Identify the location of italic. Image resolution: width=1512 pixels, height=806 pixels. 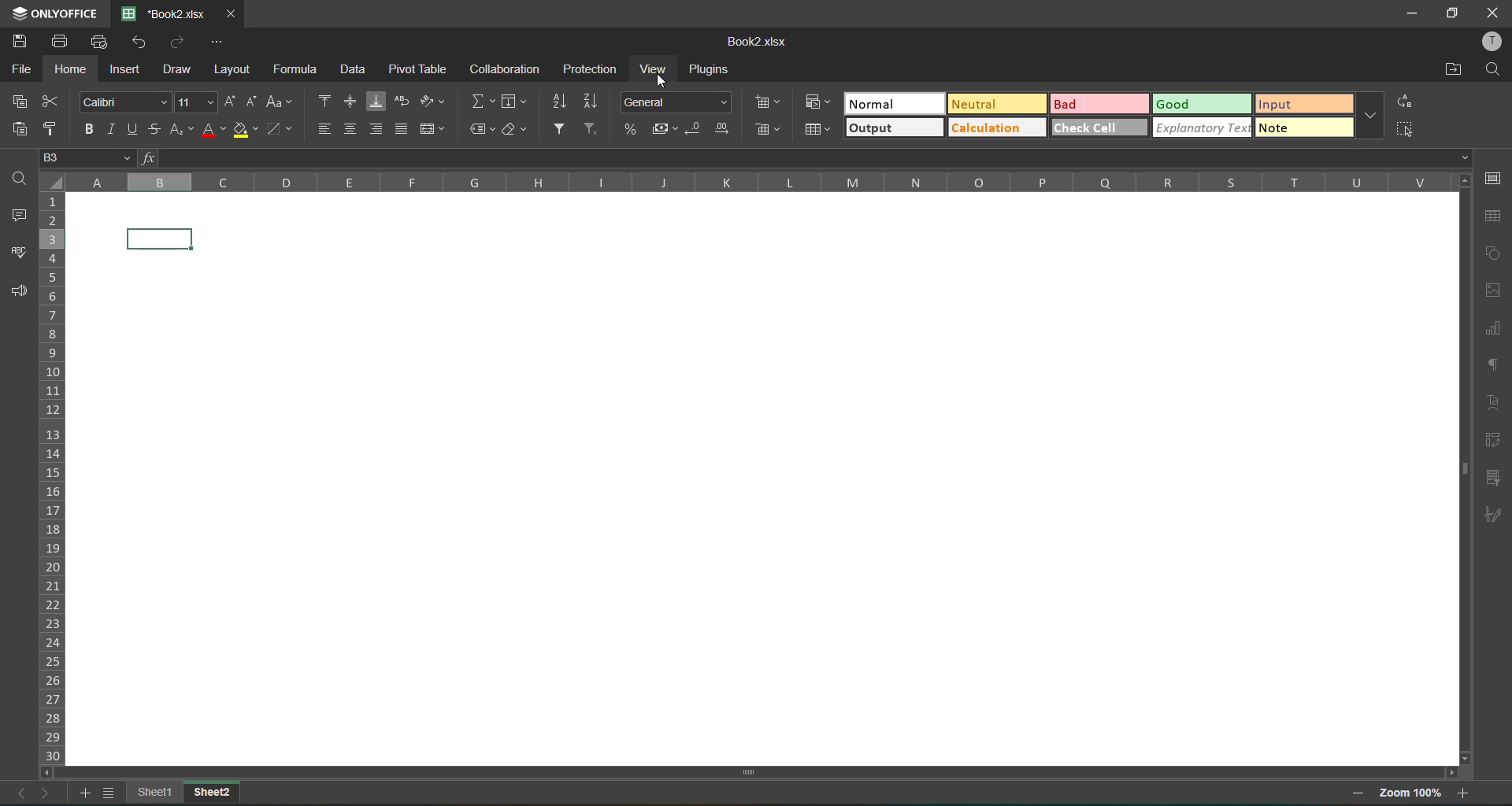
(109, 129).